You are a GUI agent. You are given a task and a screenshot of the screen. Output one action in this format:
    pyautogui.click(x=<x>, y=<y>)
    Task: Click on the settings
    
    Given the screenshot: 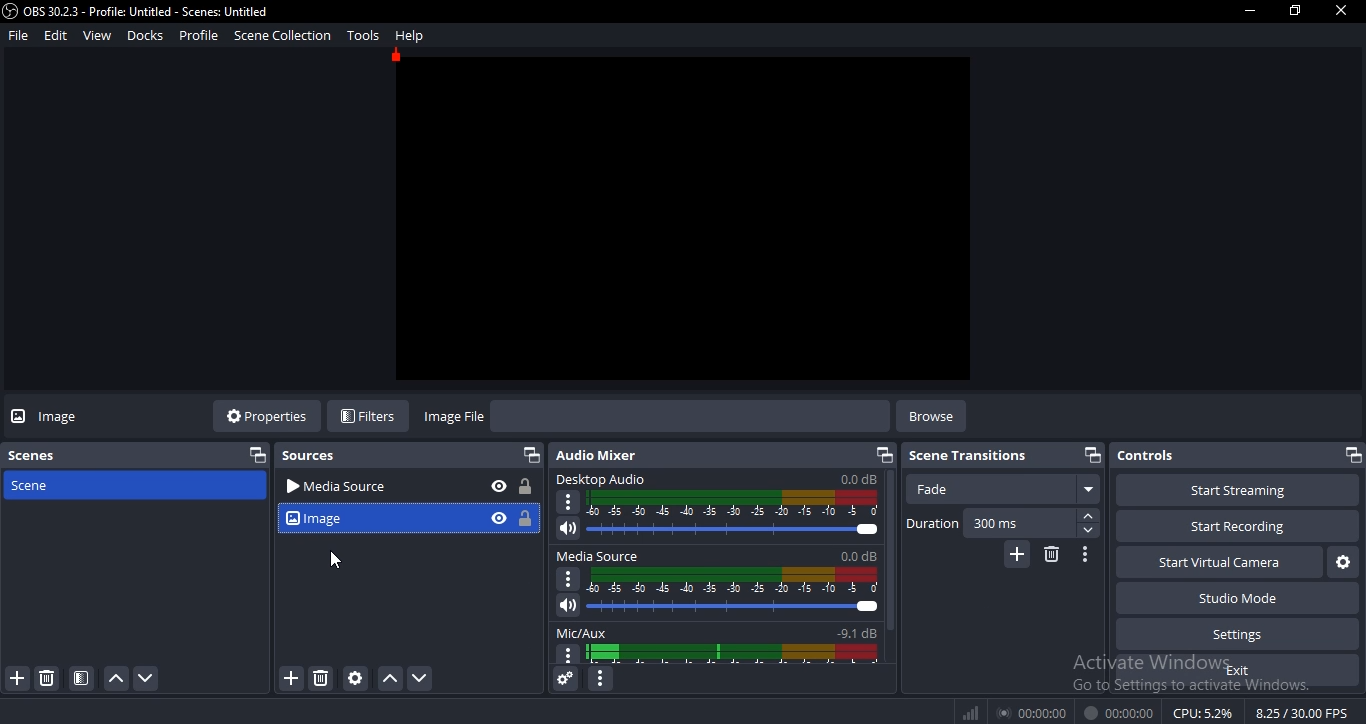 What is the action you would take?
    pyautogui.click(x=1231, y=635)
    